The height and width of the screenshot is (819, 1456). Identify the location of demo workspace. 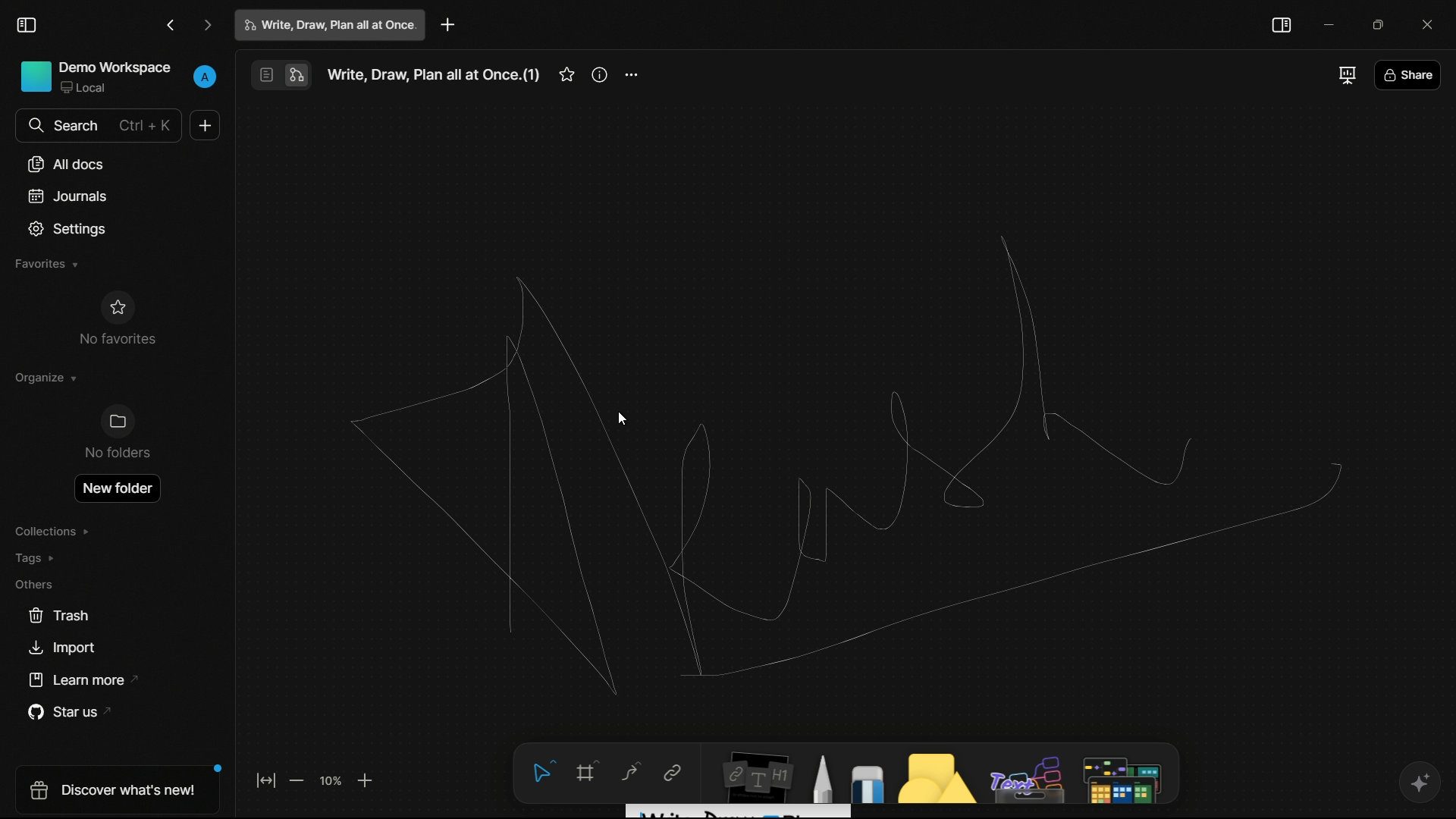
(115, 67).